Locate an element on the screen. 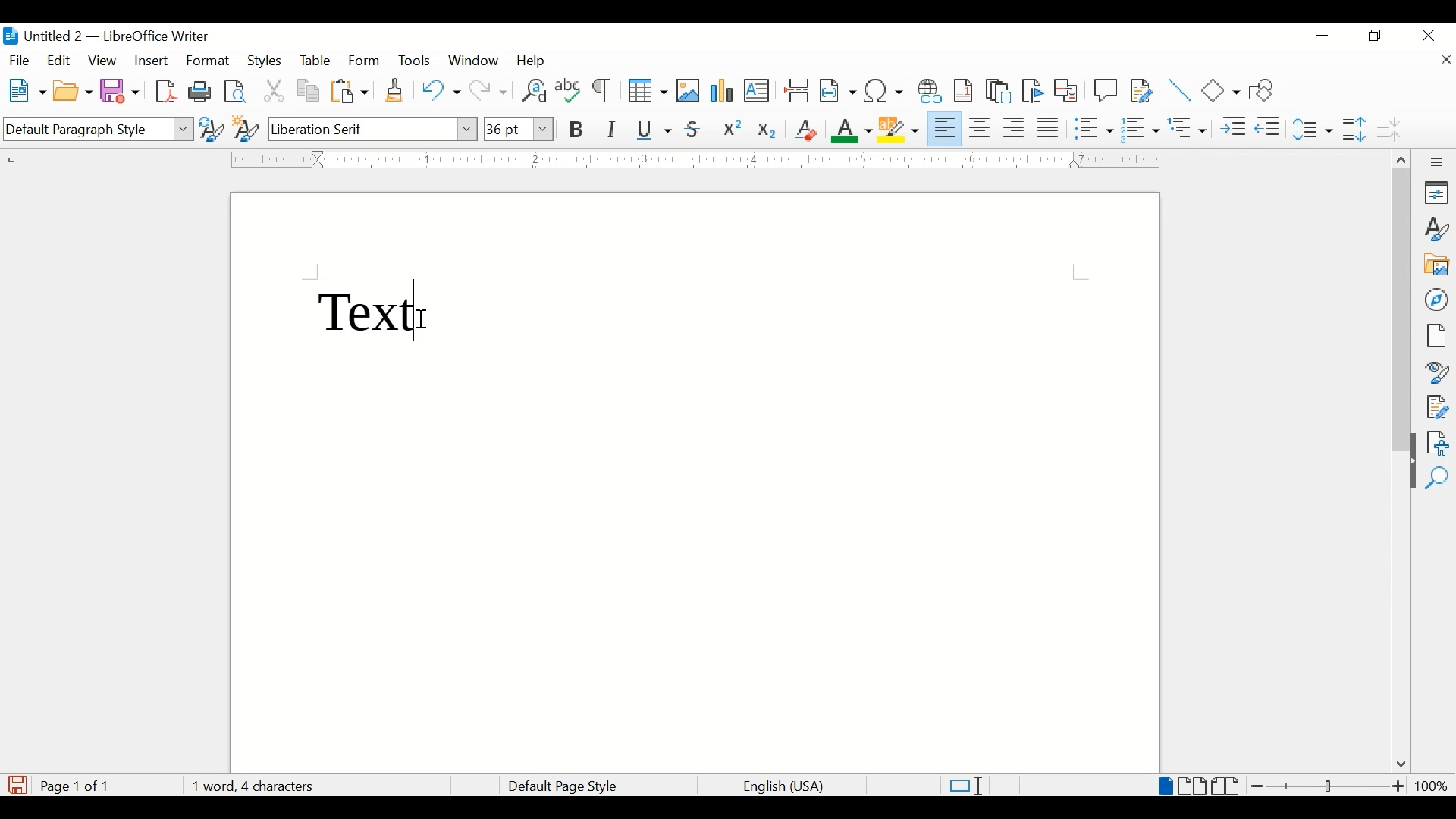 The height and width of the screenshot is (819, 1456). default paragraph style is located at coordinates (96, 130).